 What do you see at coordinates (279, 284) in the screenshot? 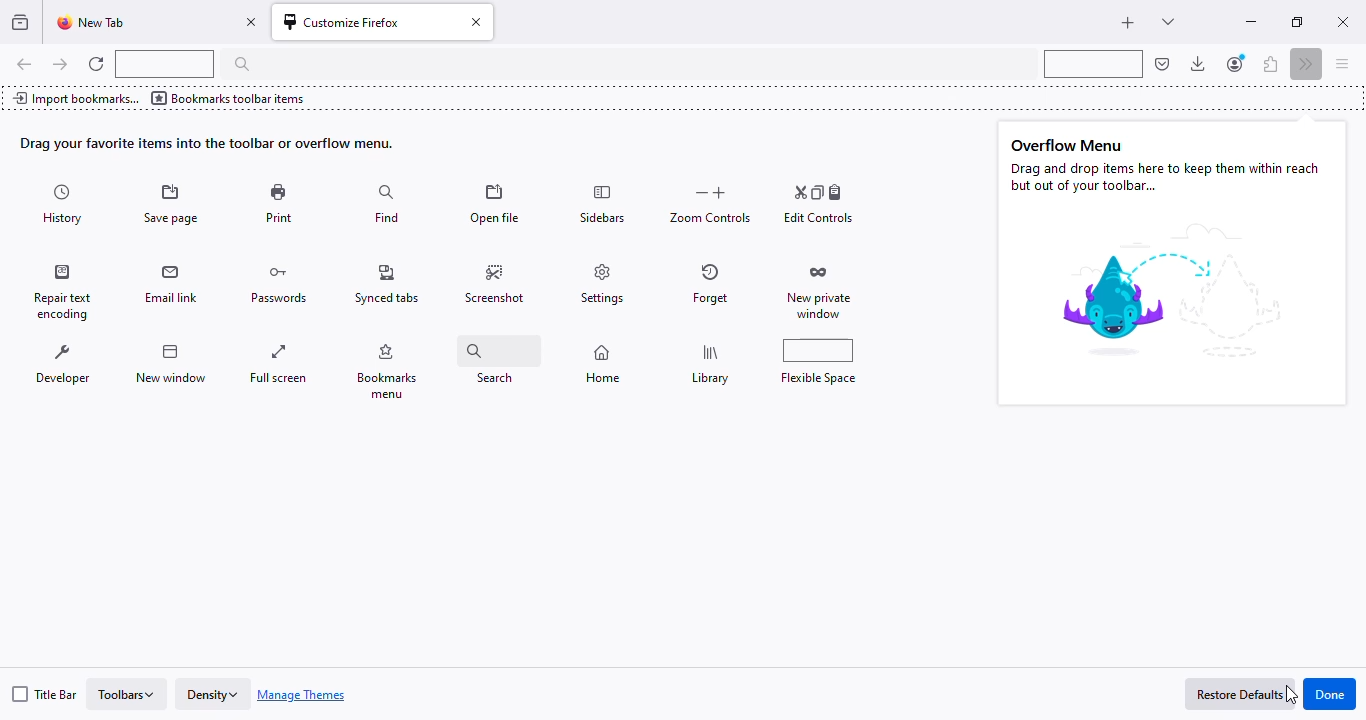
I see `passwords` at bounding box center [279, 284].